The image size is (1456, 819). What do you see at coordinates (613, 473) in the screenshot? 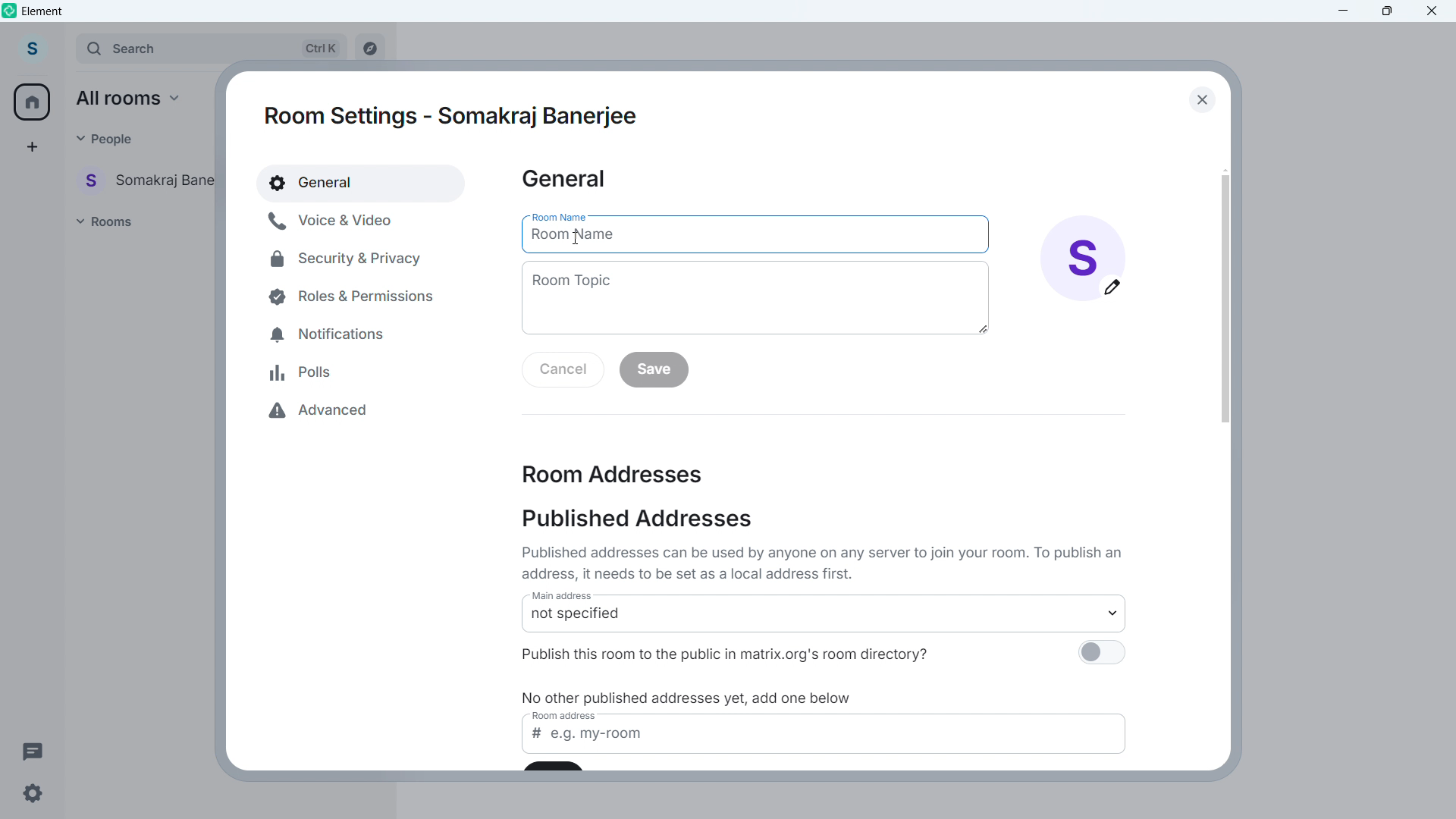
I see `Room address ` at bounding box center [613, 473].